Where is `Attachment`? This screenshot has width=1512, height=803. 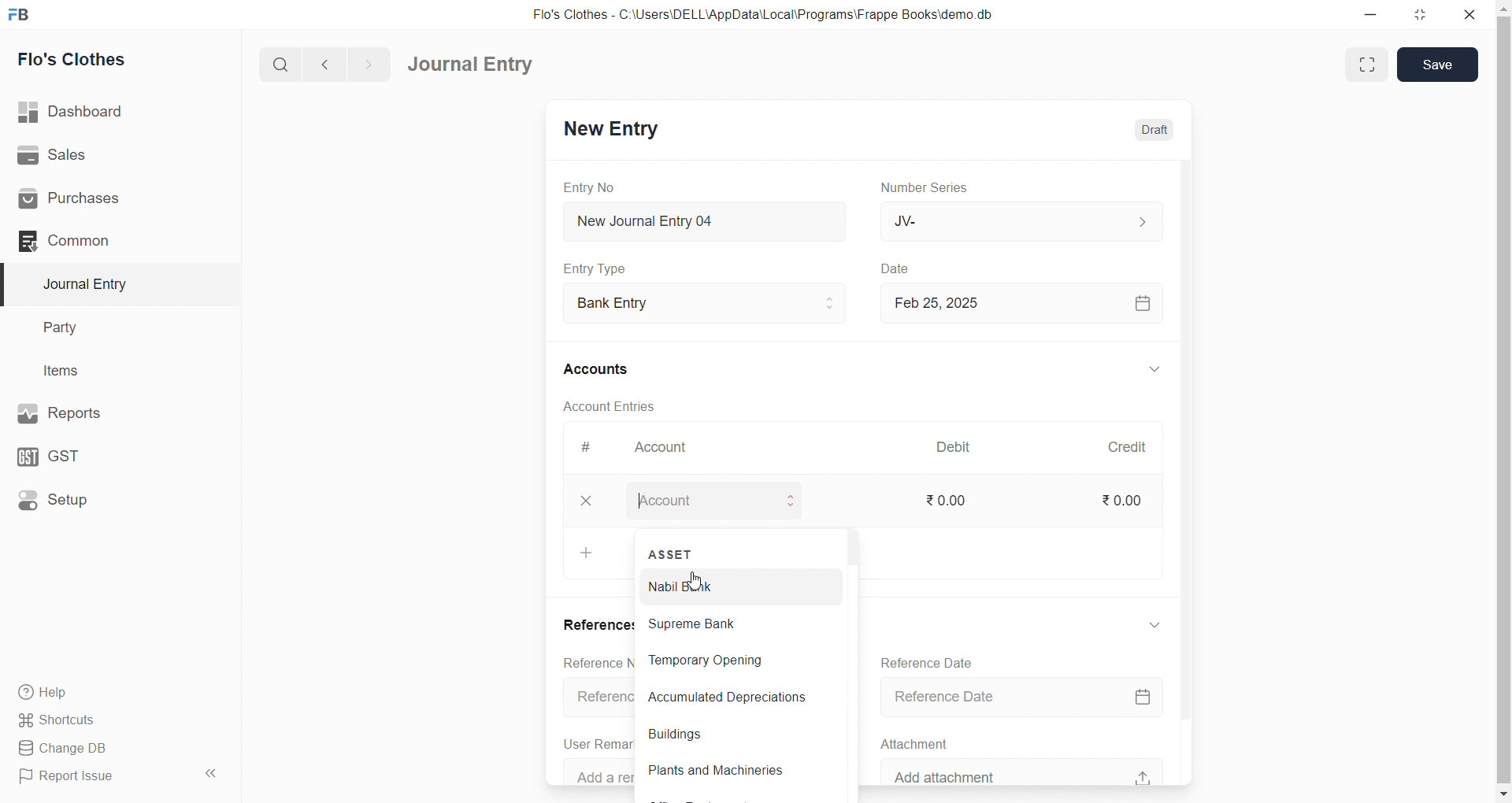
Attachment is located at coordinates (915, 742).